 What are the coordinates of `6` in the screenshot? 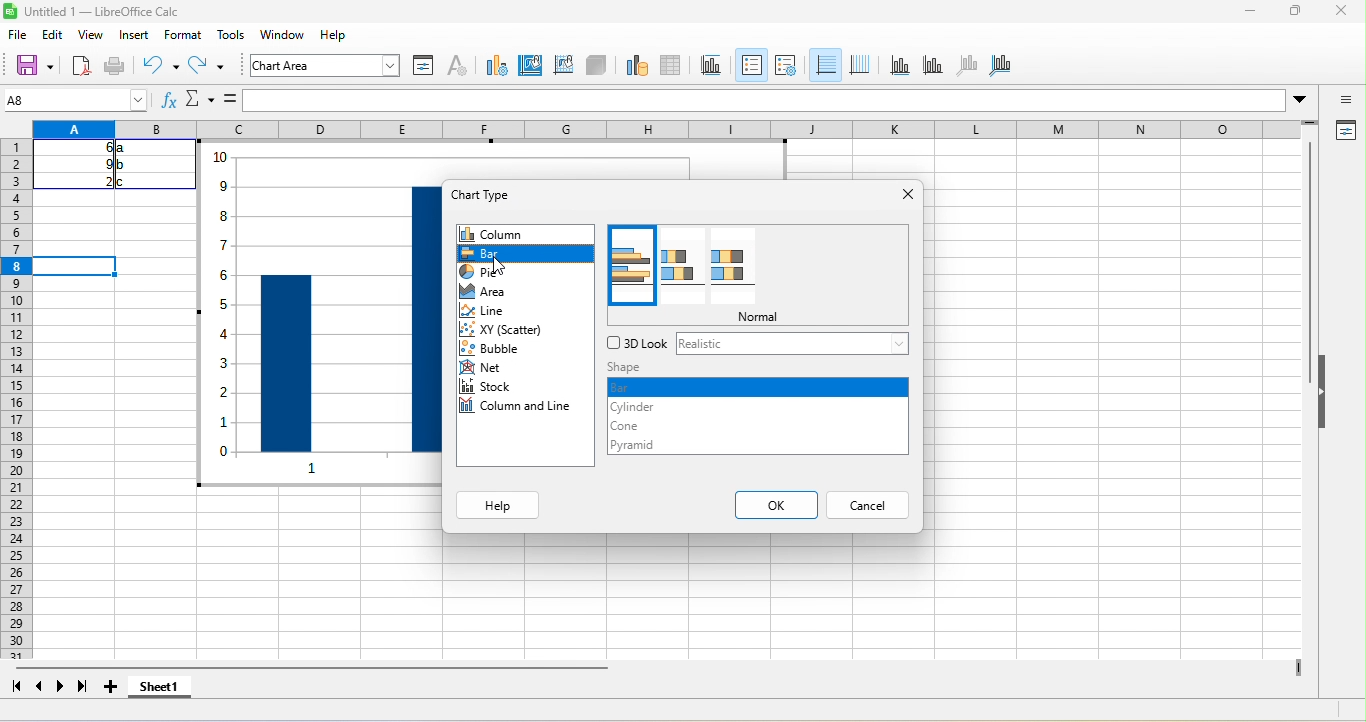 It's located at (94, 147).